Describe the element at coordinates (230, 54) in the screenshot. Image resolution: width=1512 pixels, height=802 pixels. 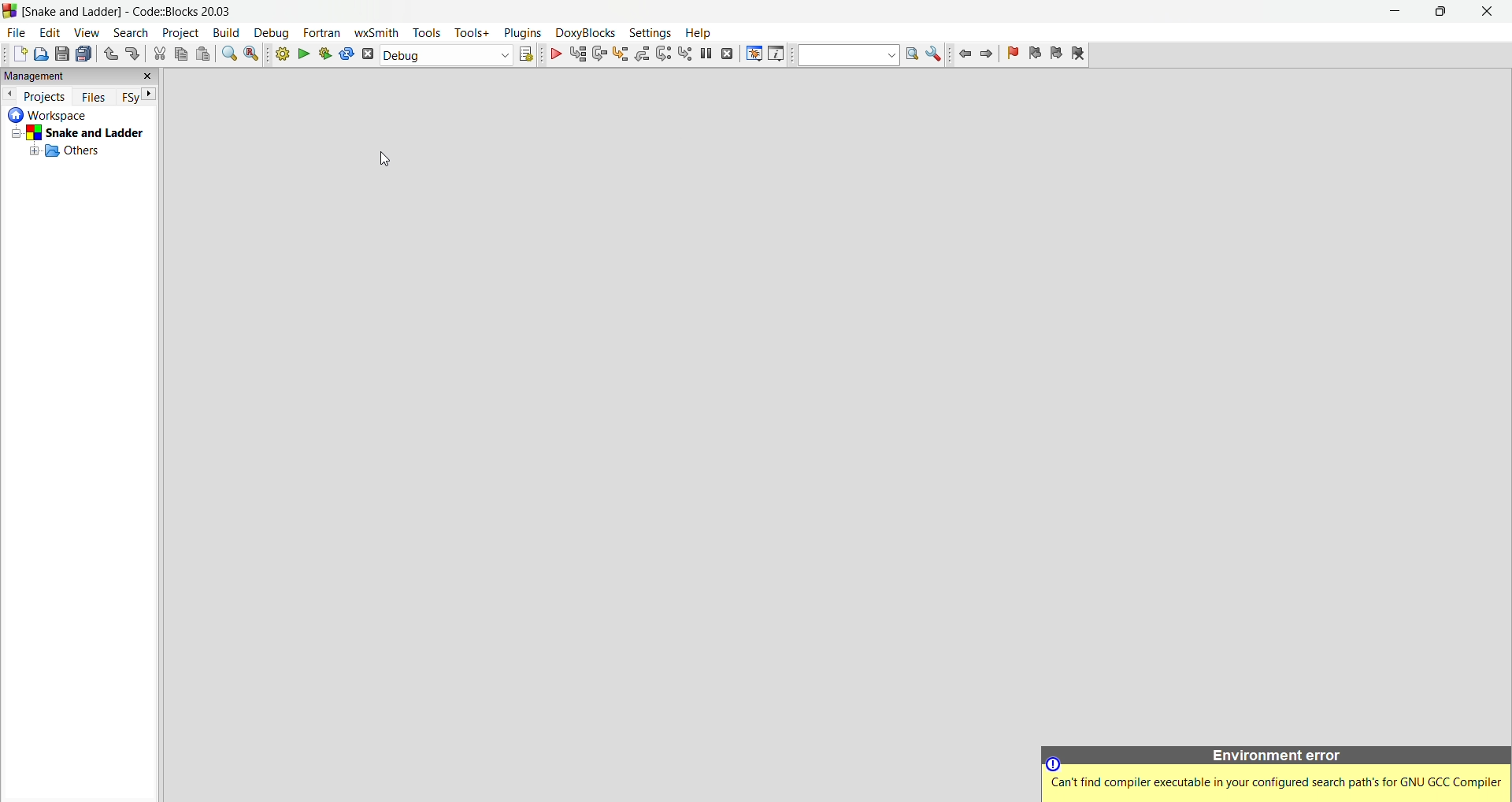
I see `find` at that location.